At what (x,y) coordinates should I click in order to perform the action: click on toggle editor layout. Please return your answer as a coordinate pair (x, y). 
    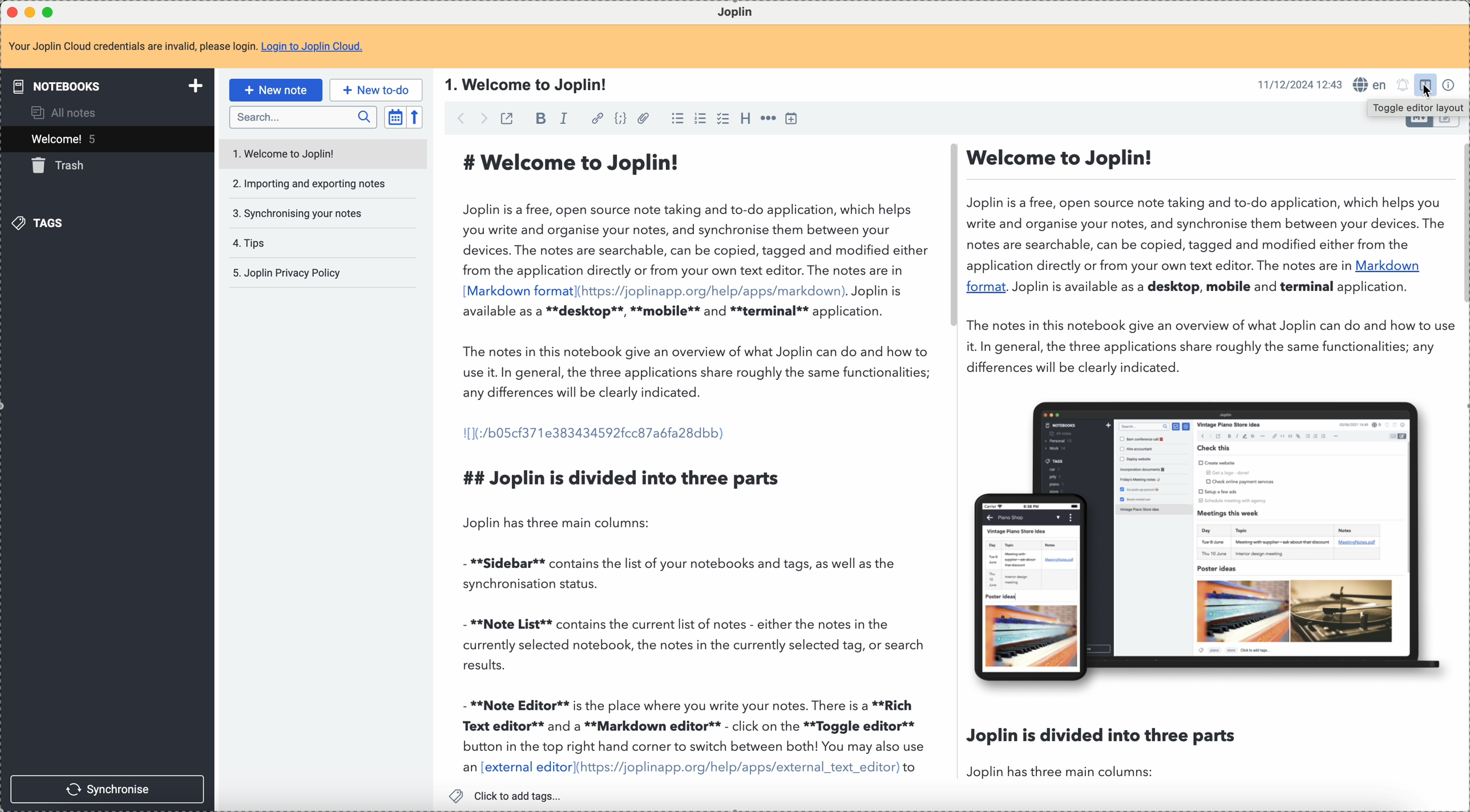
    Looking at the image, I should click on (1416, 108).